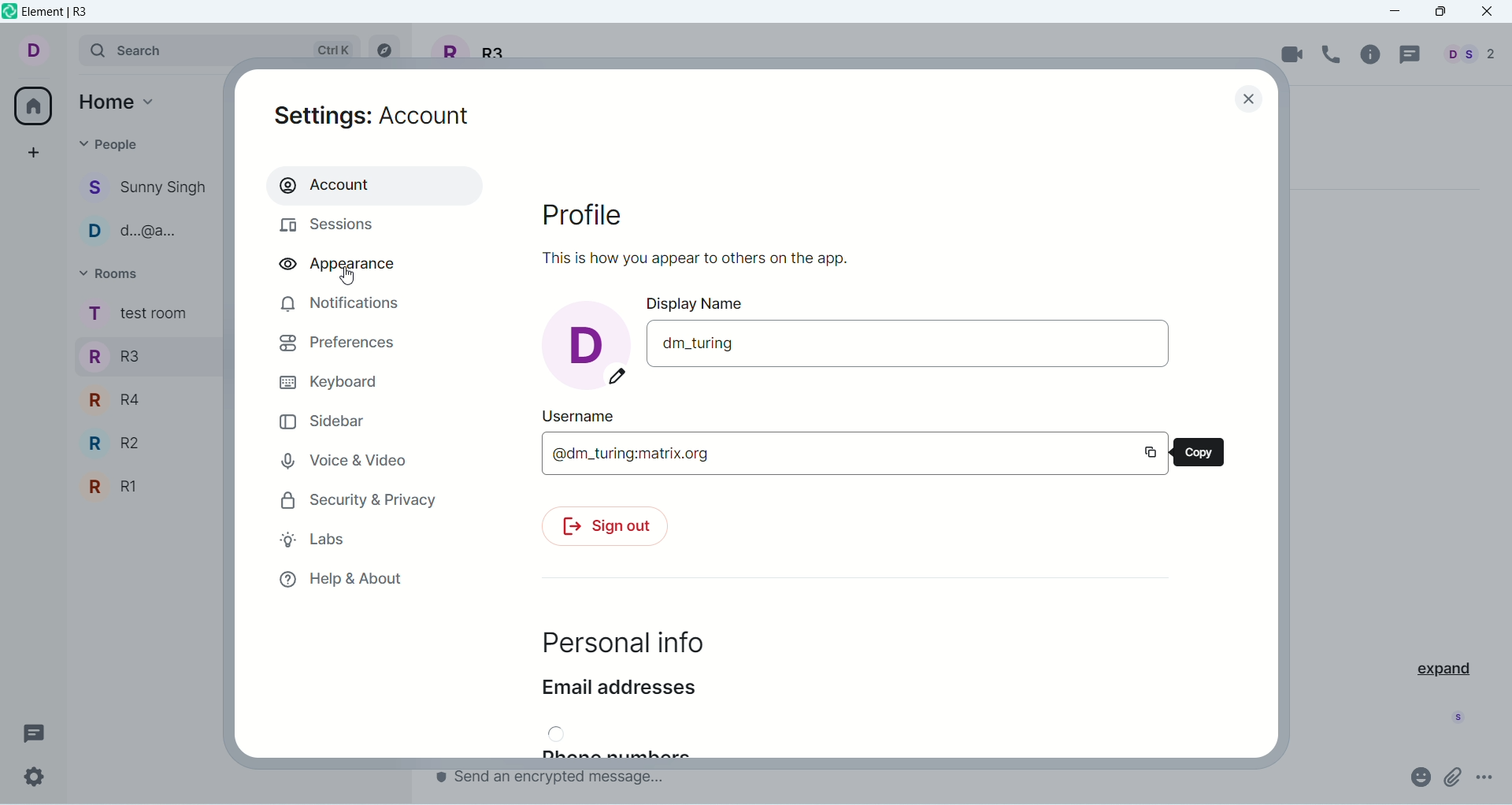 This screenshot has width=1512, height=805. What do you see at coordinates (617, 646) in the screenshot?
I see `personal info` at bounding box center [617, 646].